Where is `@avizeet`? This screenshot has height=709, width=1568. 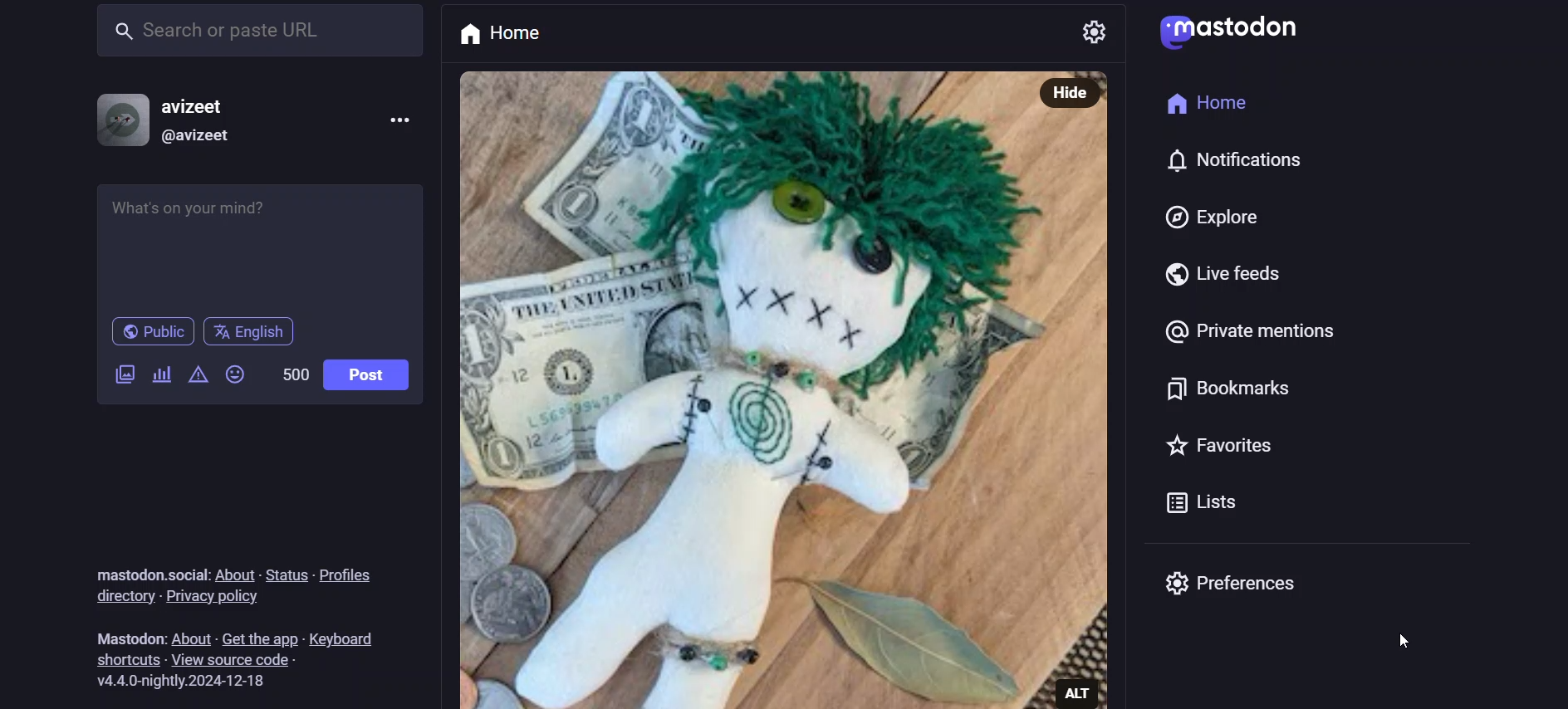
@avizeet is located at coordinates (200, 139).